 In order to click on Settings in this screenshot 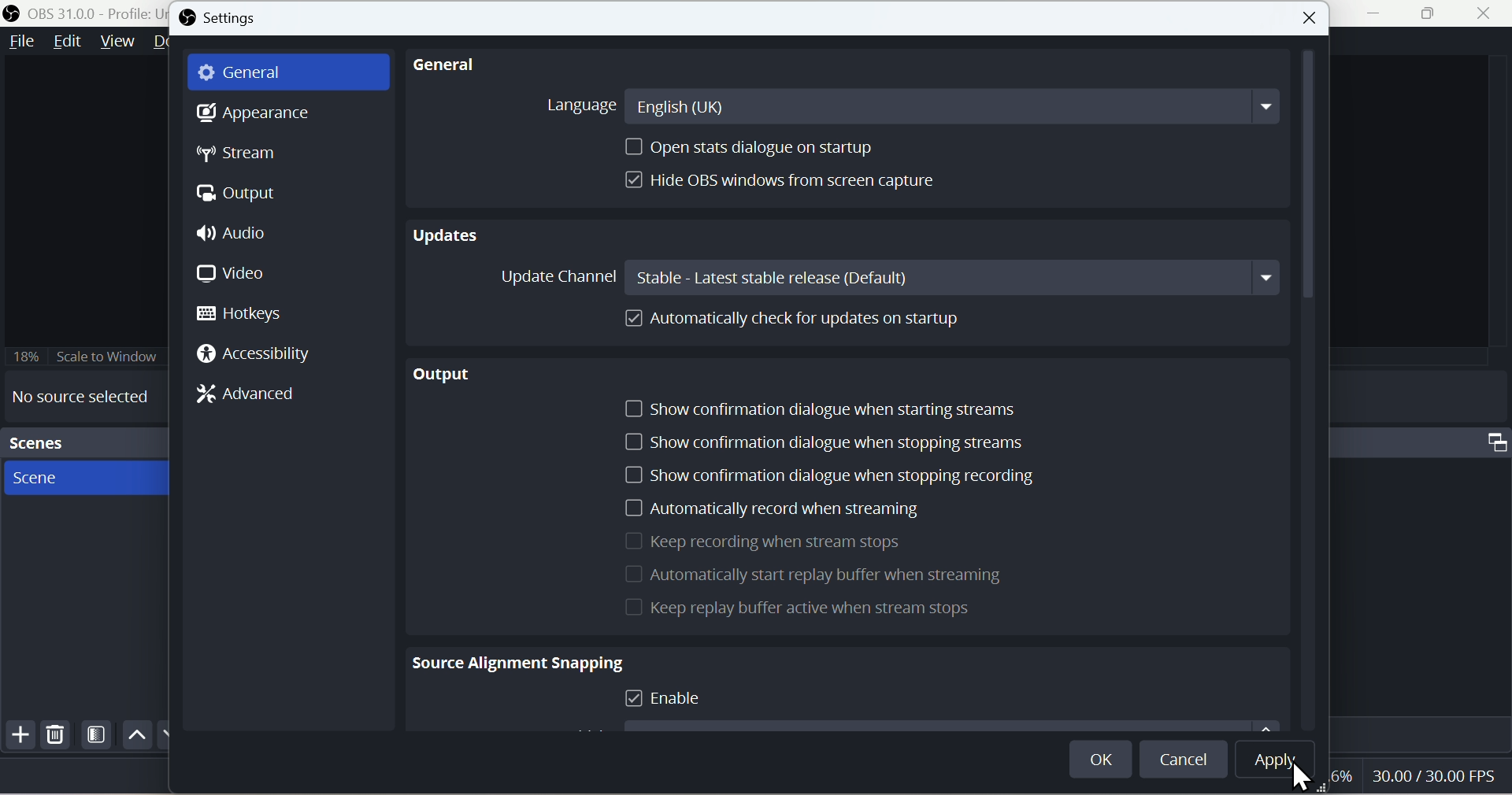, I will do `click(217, 20)`.